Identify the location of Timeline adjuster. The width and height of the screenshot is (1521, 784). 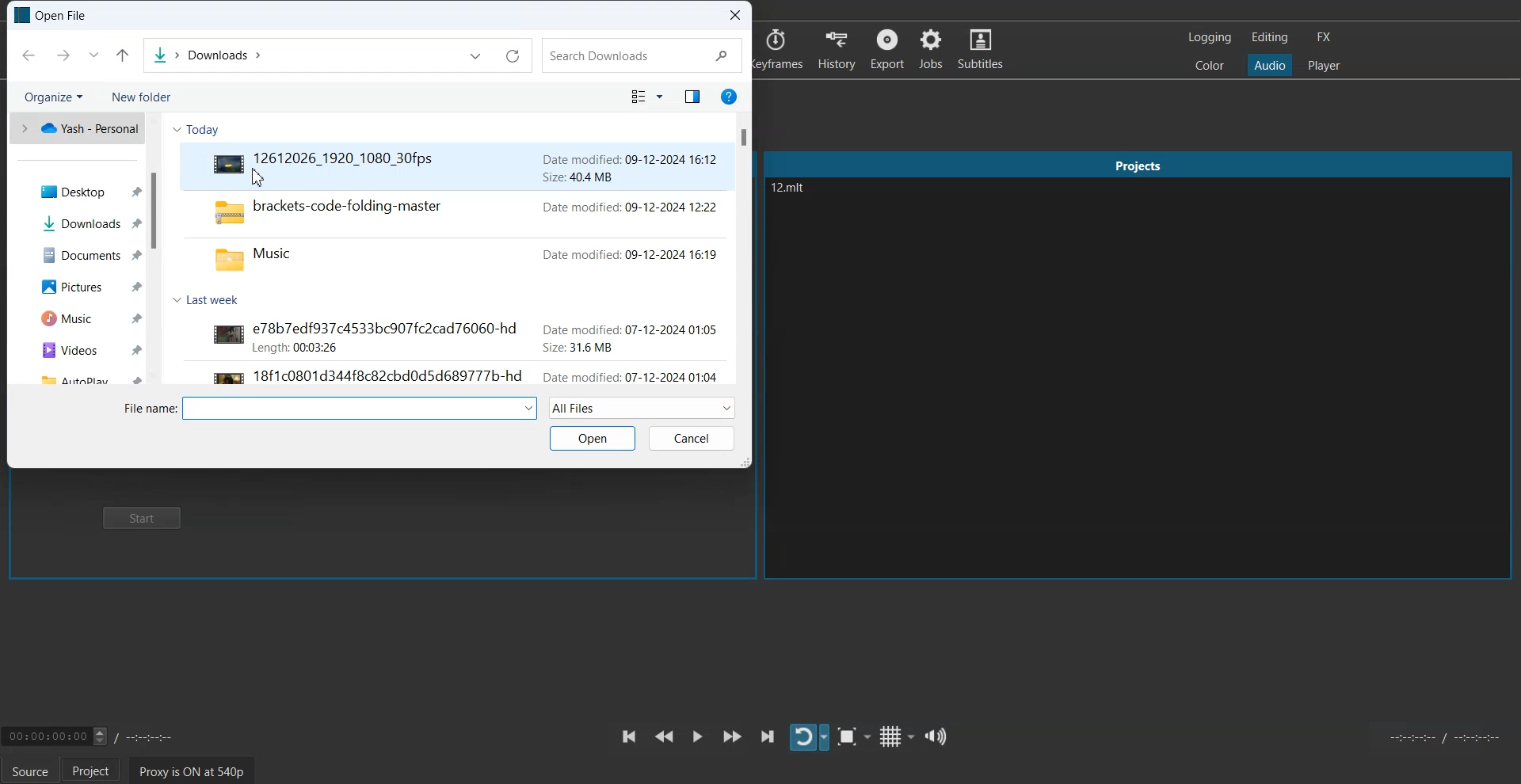
(98, 735).